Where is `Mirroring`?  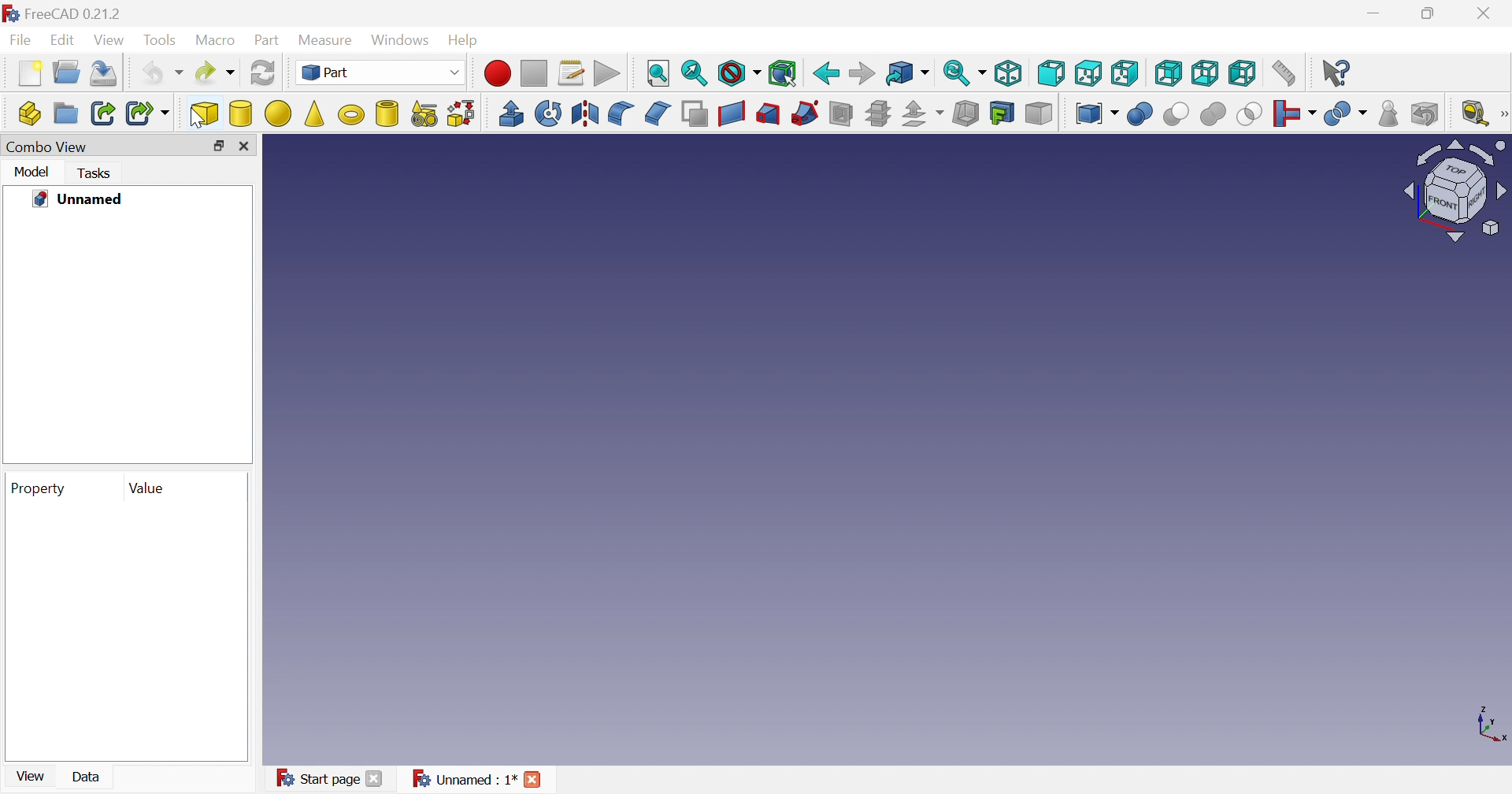 Mirroring is located at coordinates (586, 113).